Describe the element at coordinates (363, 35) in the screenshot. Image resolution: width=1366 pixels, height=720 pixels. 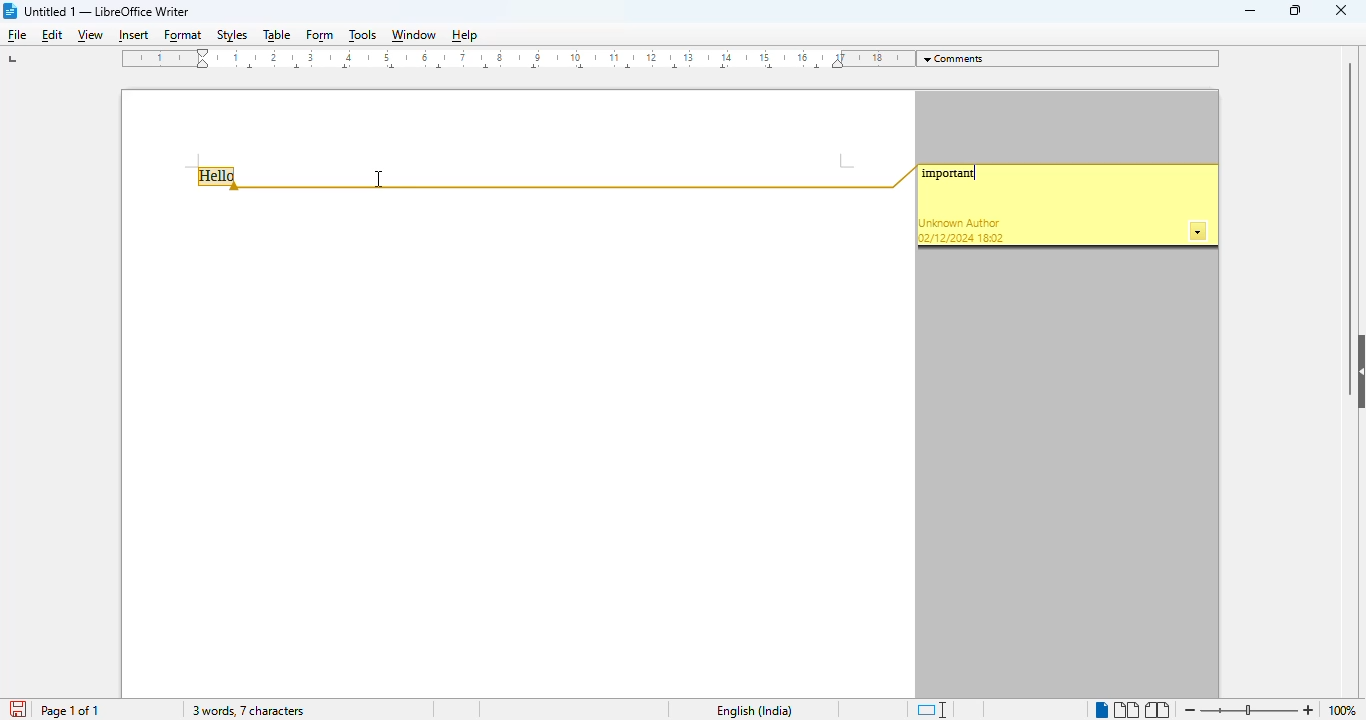
I see `tools` at that location.